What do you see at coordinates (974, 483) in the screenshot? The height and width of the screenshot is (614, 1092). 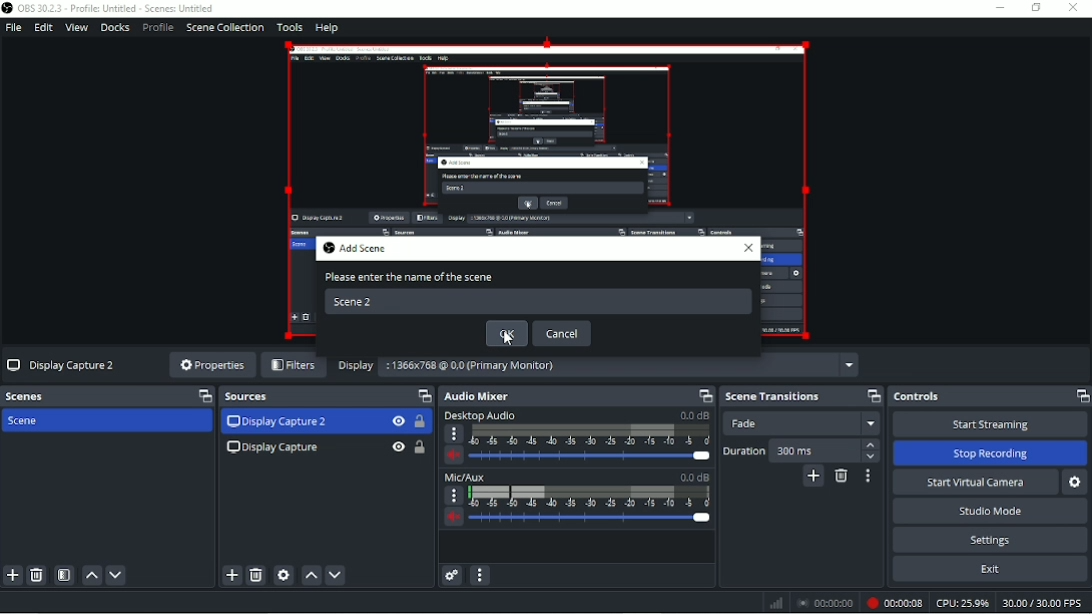 I see `Start virtual camera` at bounding box center [974, 483].